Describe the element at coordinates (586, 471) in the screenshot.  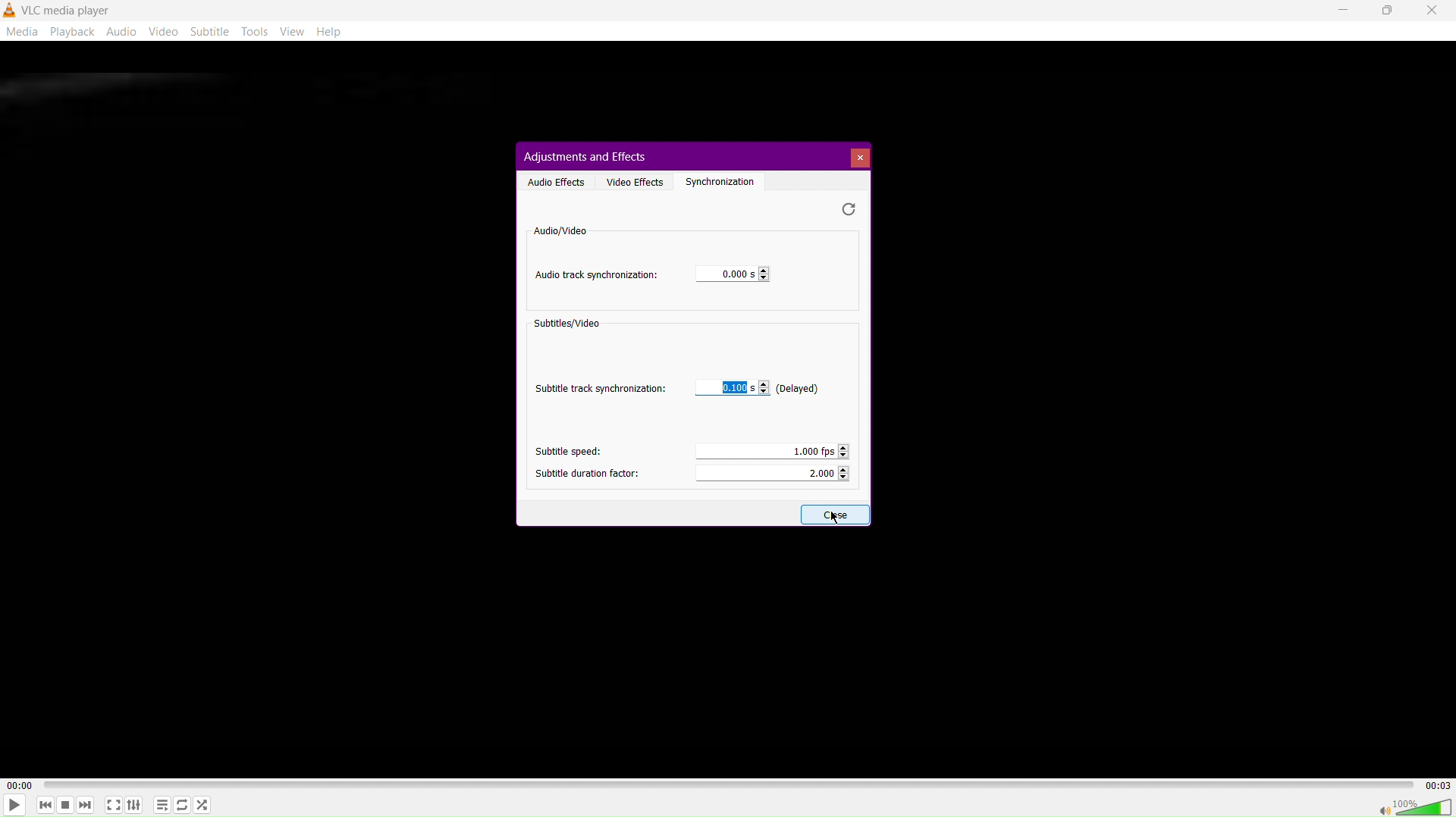
I see `Subtitle duration factor` at that location.